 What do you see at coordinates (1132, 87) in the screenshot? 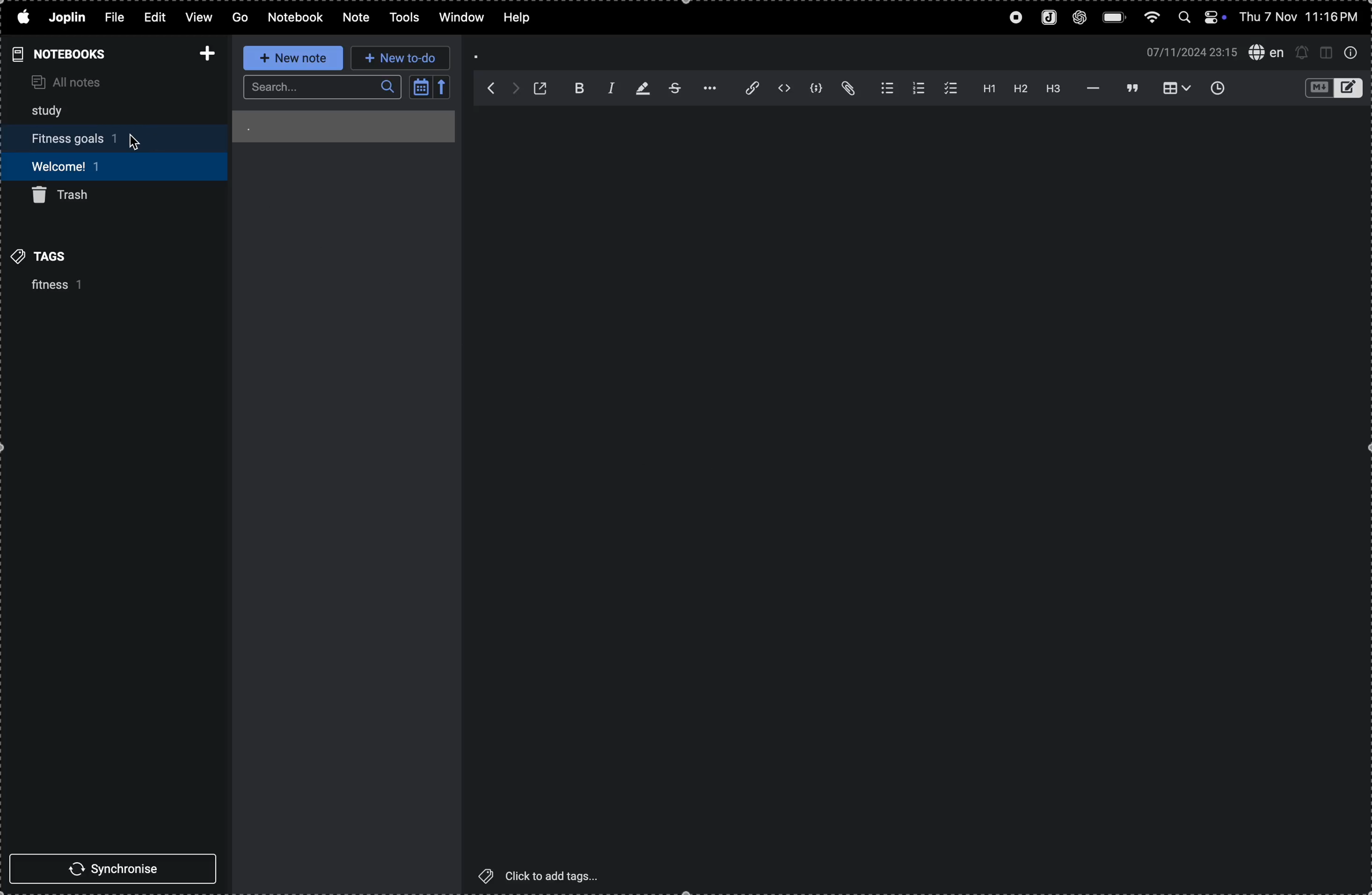
I see `black quote` at bounding box center [1132, 87].